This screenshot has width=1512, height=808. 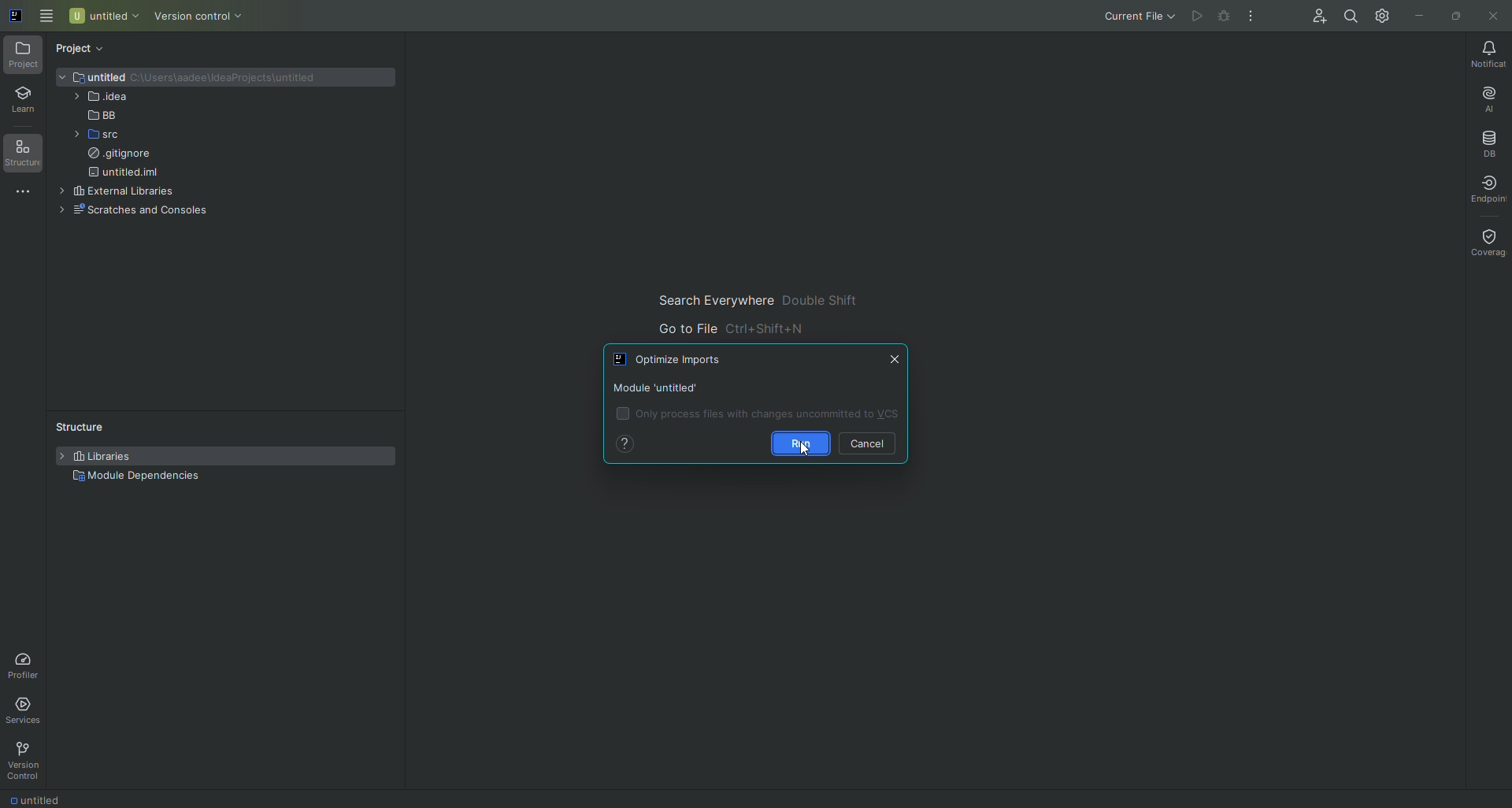 What do you see at coordinates (1492, 17) in the screenshot?
I see `Close` at bounding box center [1492, 17].